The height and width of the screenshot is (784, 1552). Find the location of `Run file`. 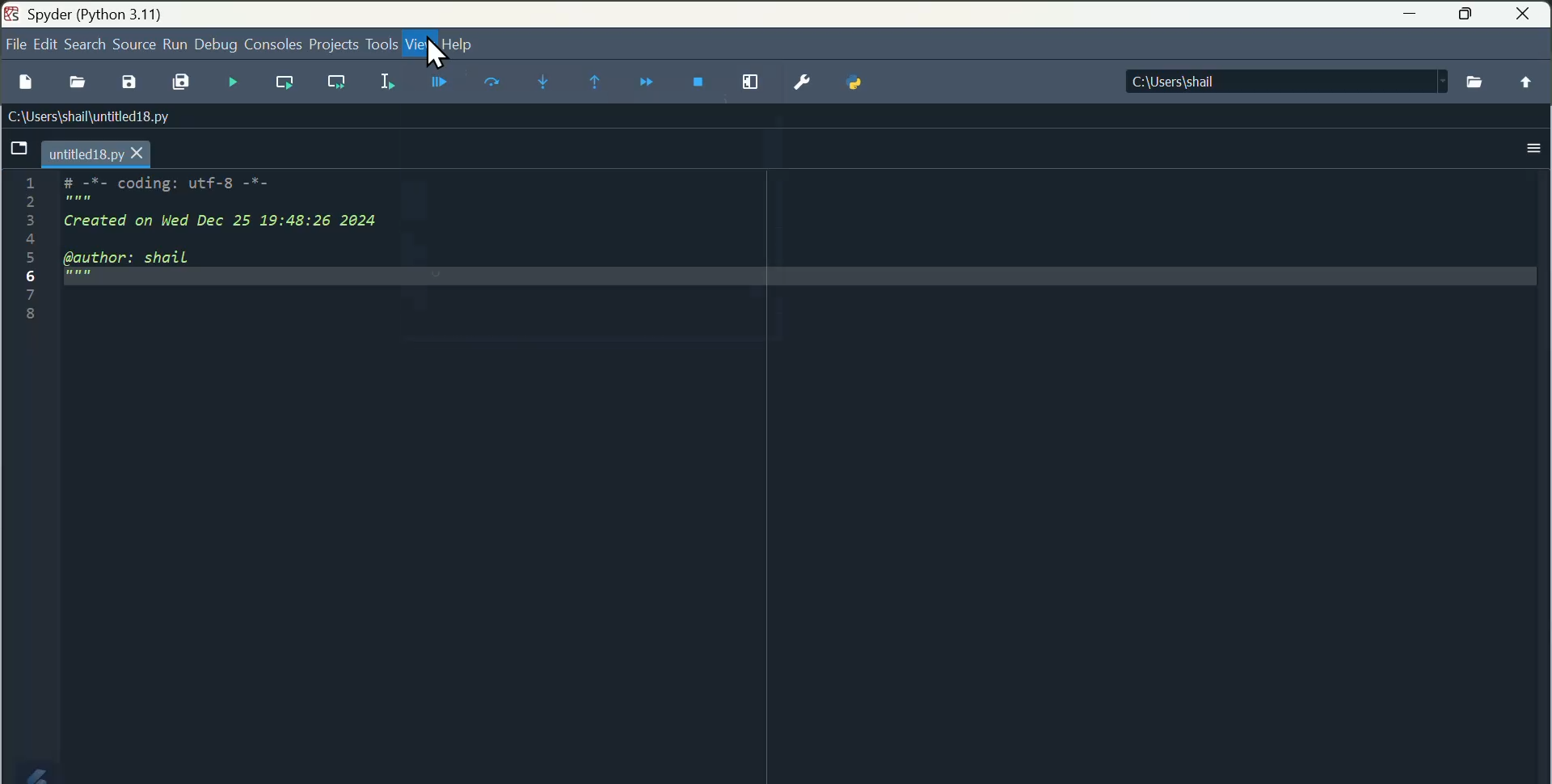

Run file is located at coordinates (234, 81).